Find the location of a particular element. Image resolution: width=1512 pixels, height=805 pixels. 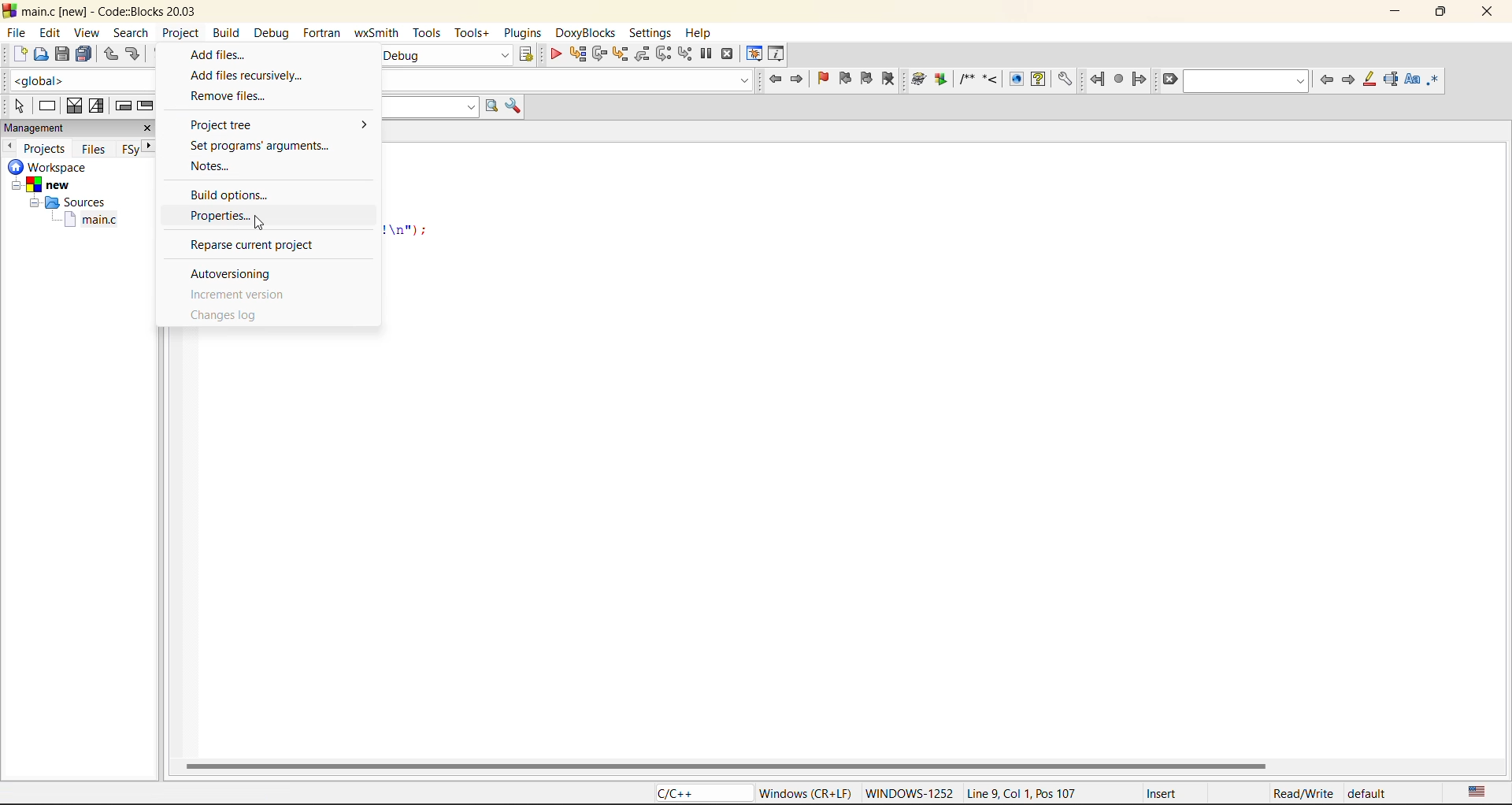

text to search is located at coordinates (428, 107).